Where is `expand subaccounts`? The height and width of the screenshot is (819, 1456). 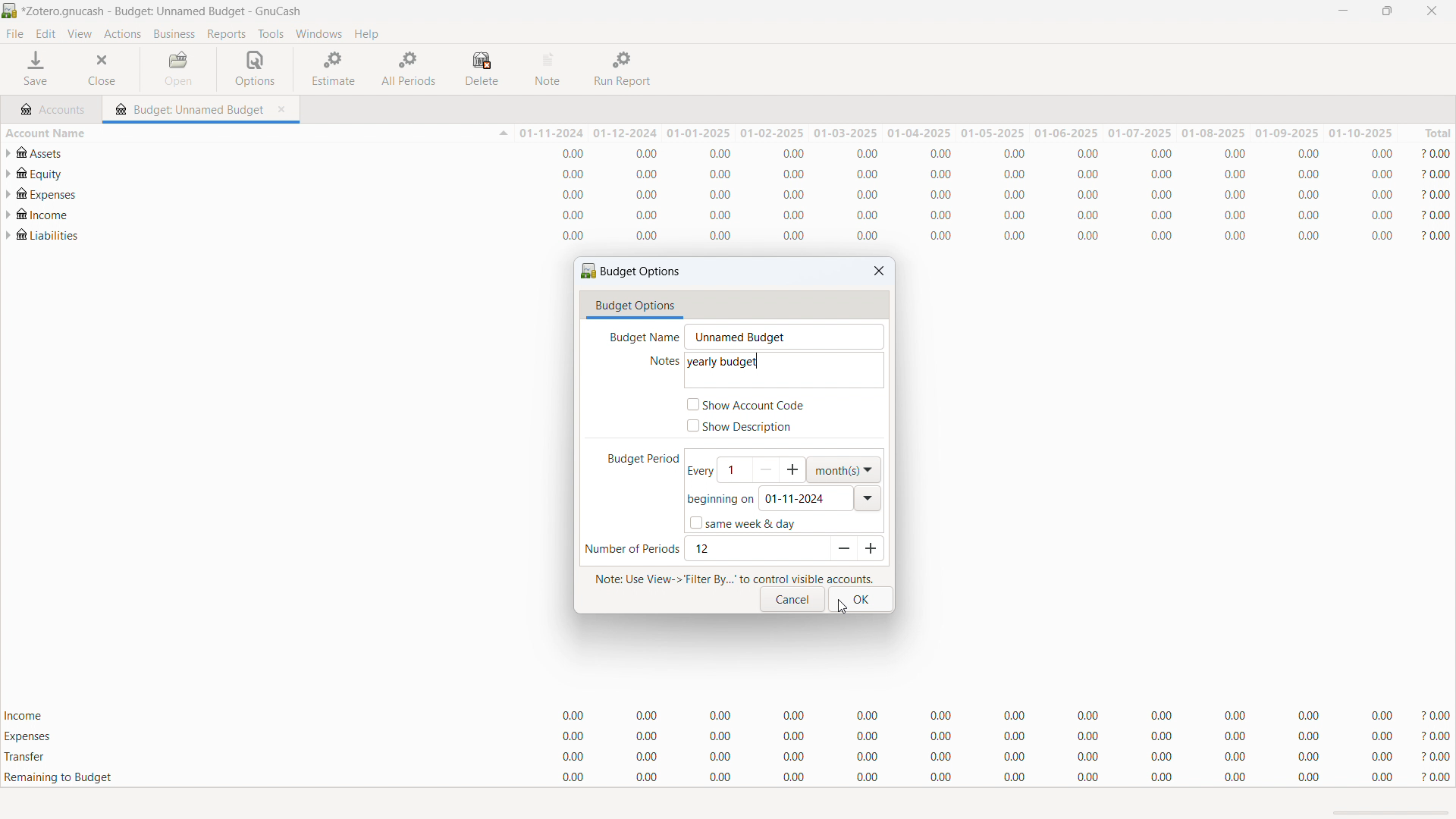 expand subaccounts is located at coordinates (9, 193).